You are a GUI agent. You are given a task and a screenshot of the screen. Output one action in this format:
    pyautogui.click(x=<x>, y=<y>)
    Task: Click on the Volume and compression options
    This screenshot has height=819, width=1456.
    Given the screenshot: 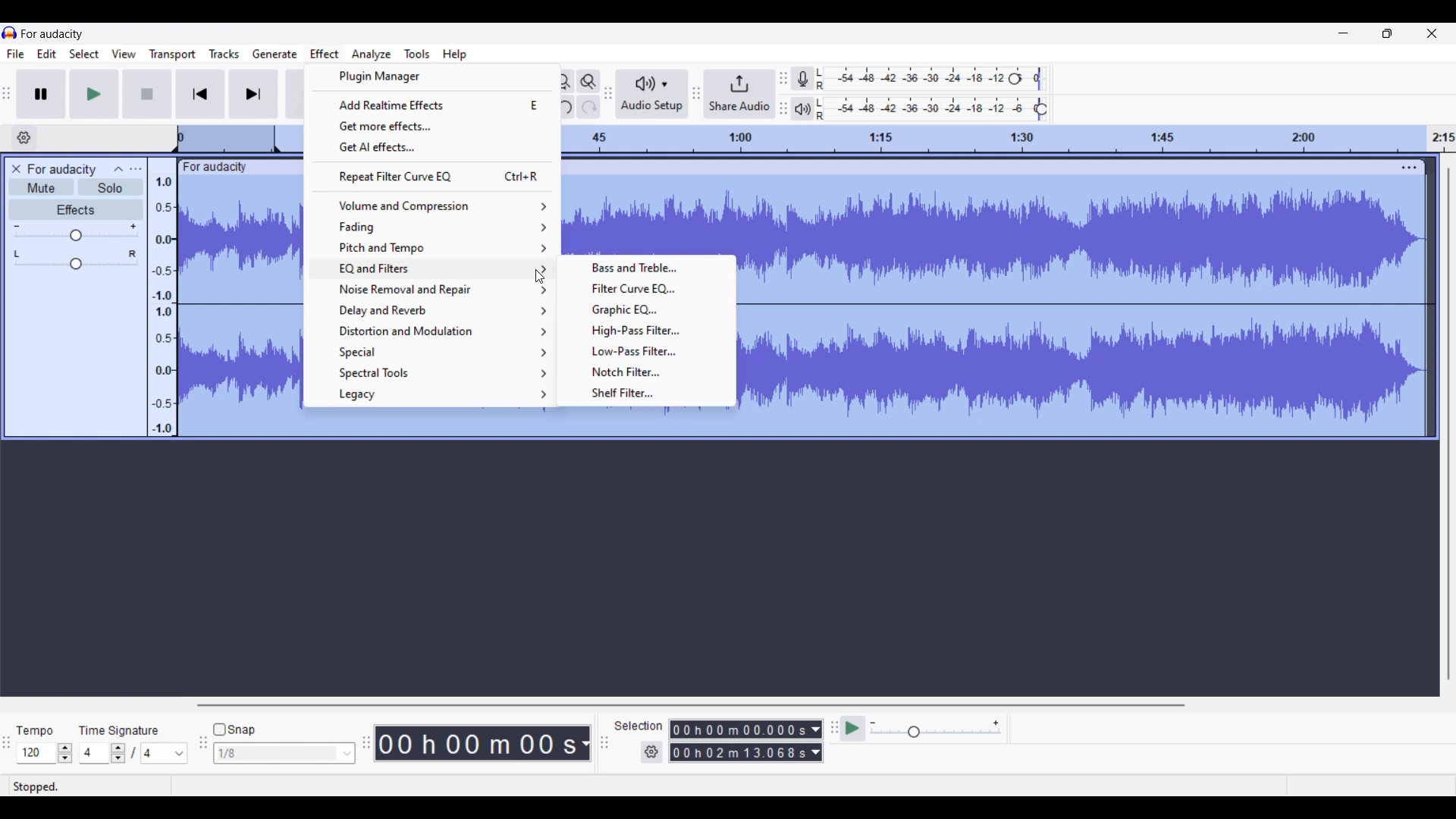 What is the action you would take?
    pyautogui.click(x=433, y=206)
    